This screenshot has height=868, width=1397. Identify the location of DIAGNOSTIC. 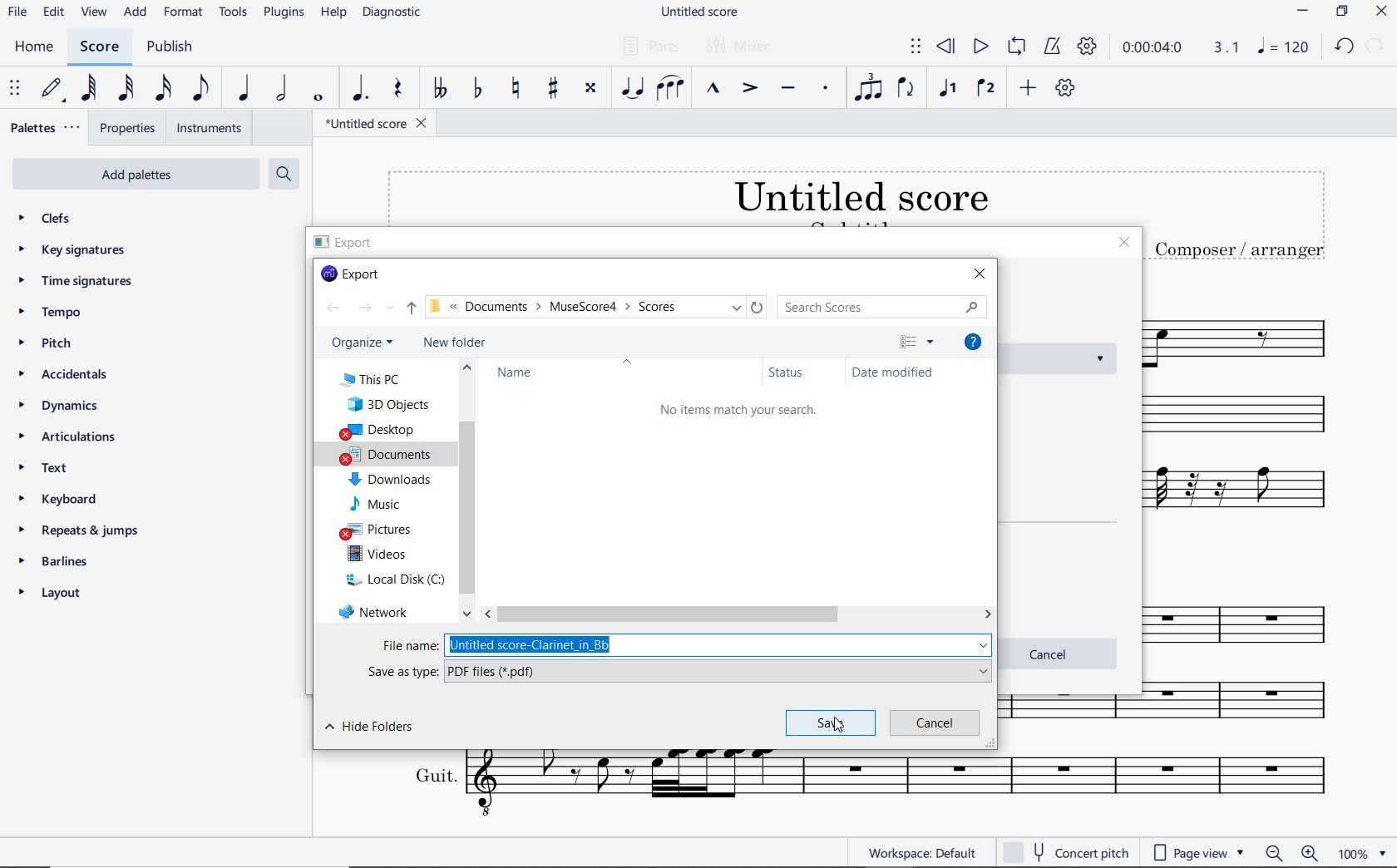
(392, 13).